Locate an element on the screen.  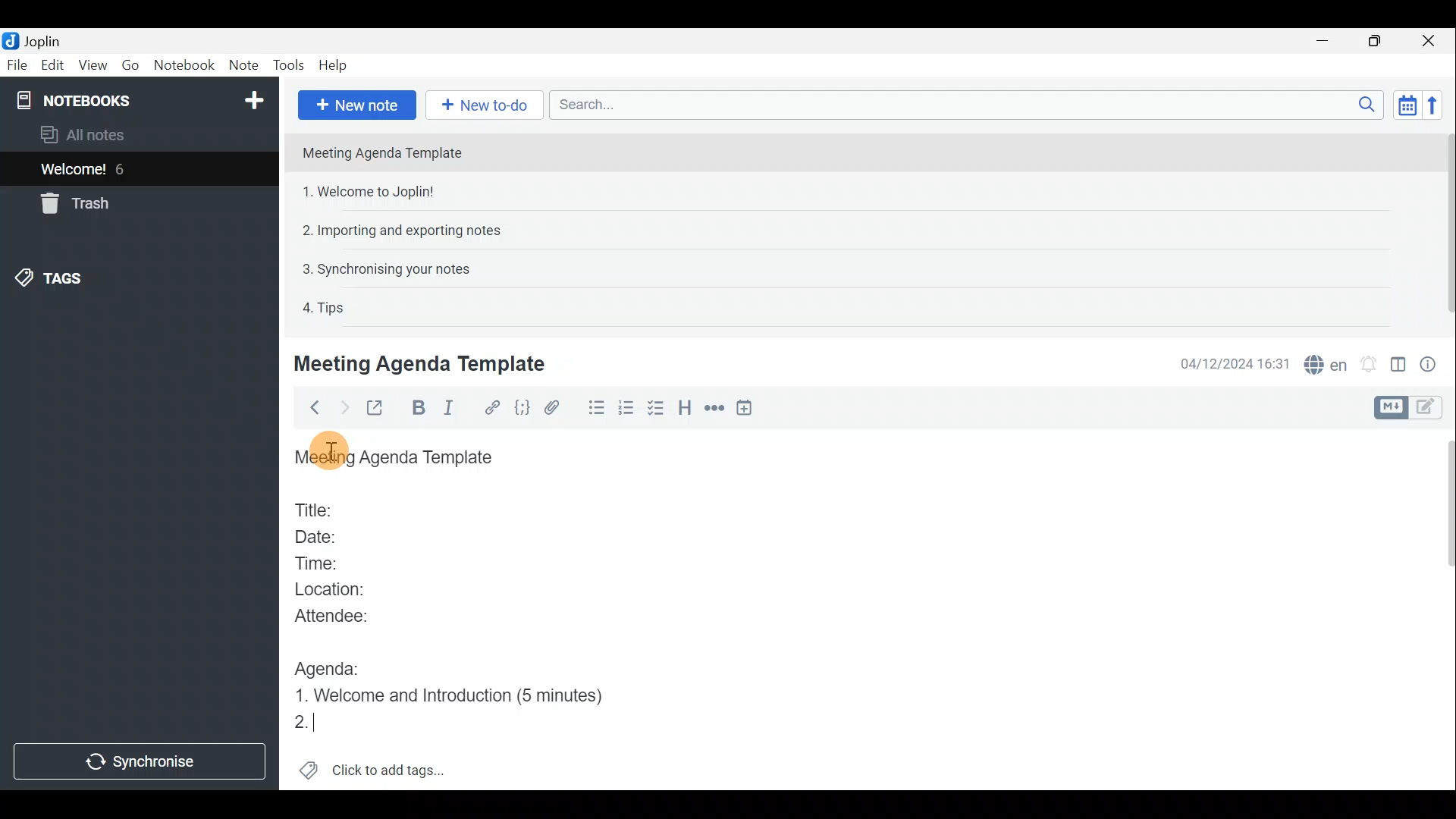
Maximise is located at coordinates (1376, 42).